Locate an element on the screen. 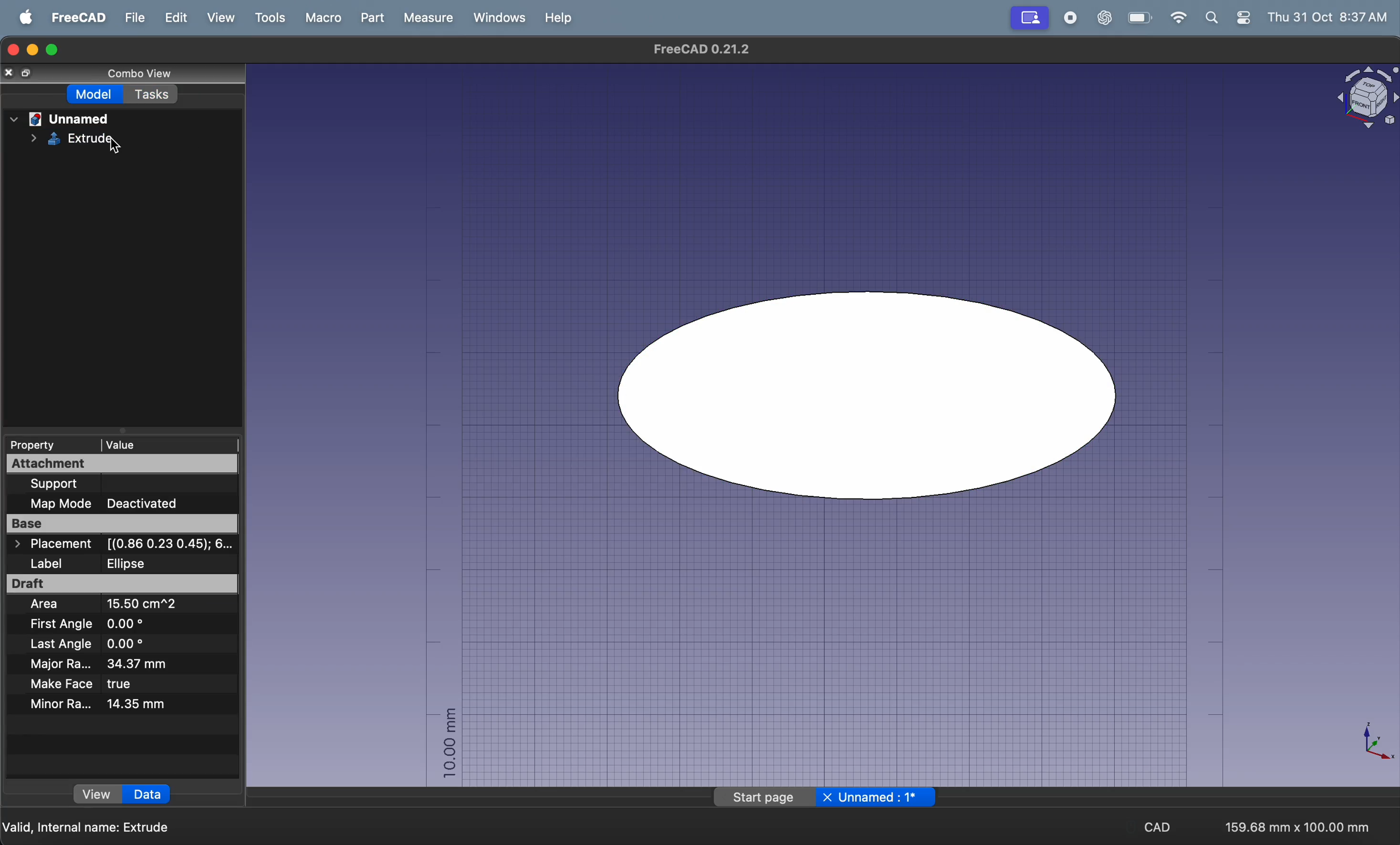 This screenshot has height=845, width=1400. Screen mirror is located at coordinates (1029, 19).